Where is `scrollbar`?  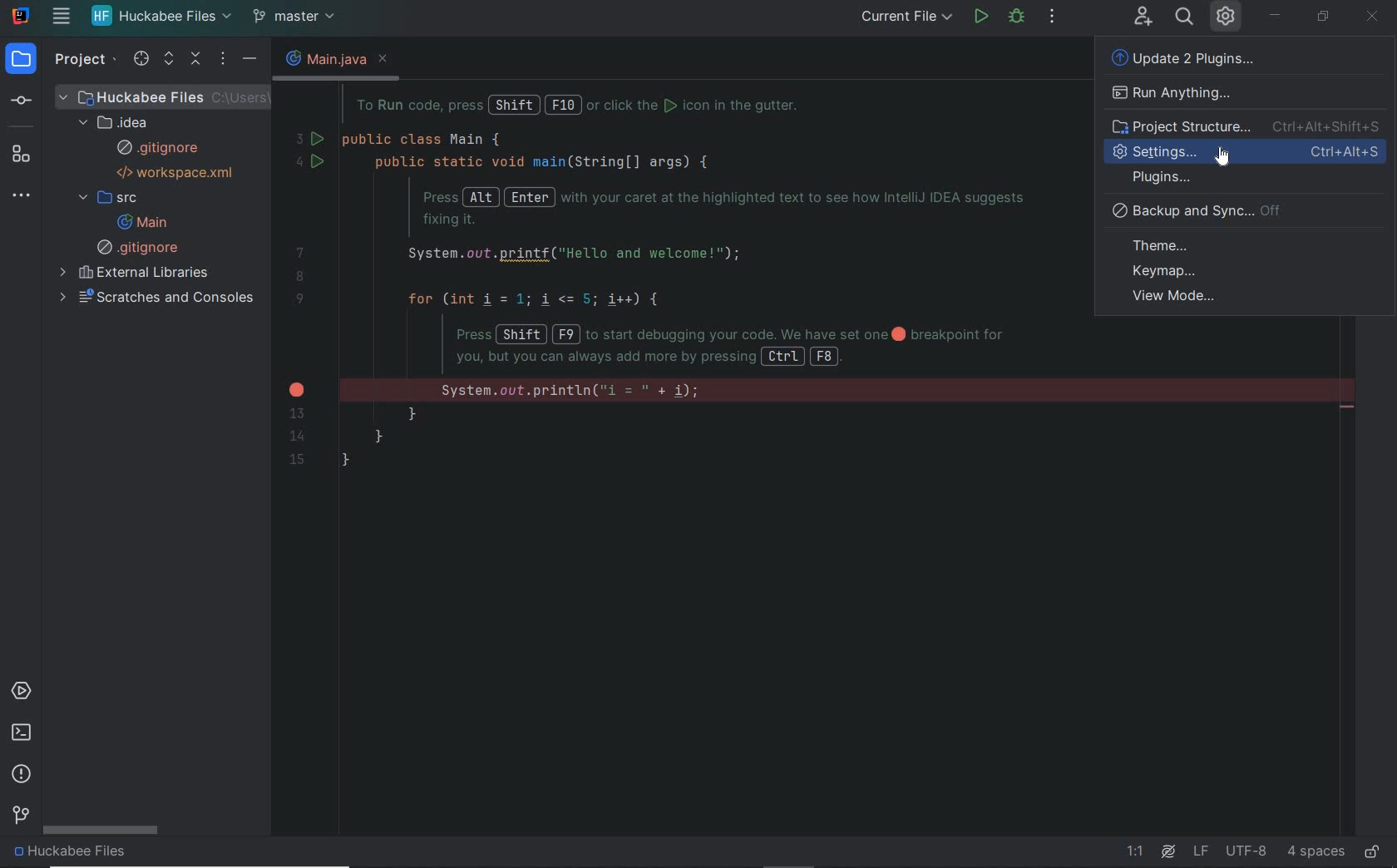 scrollbar is located at coordinates (102, 831).